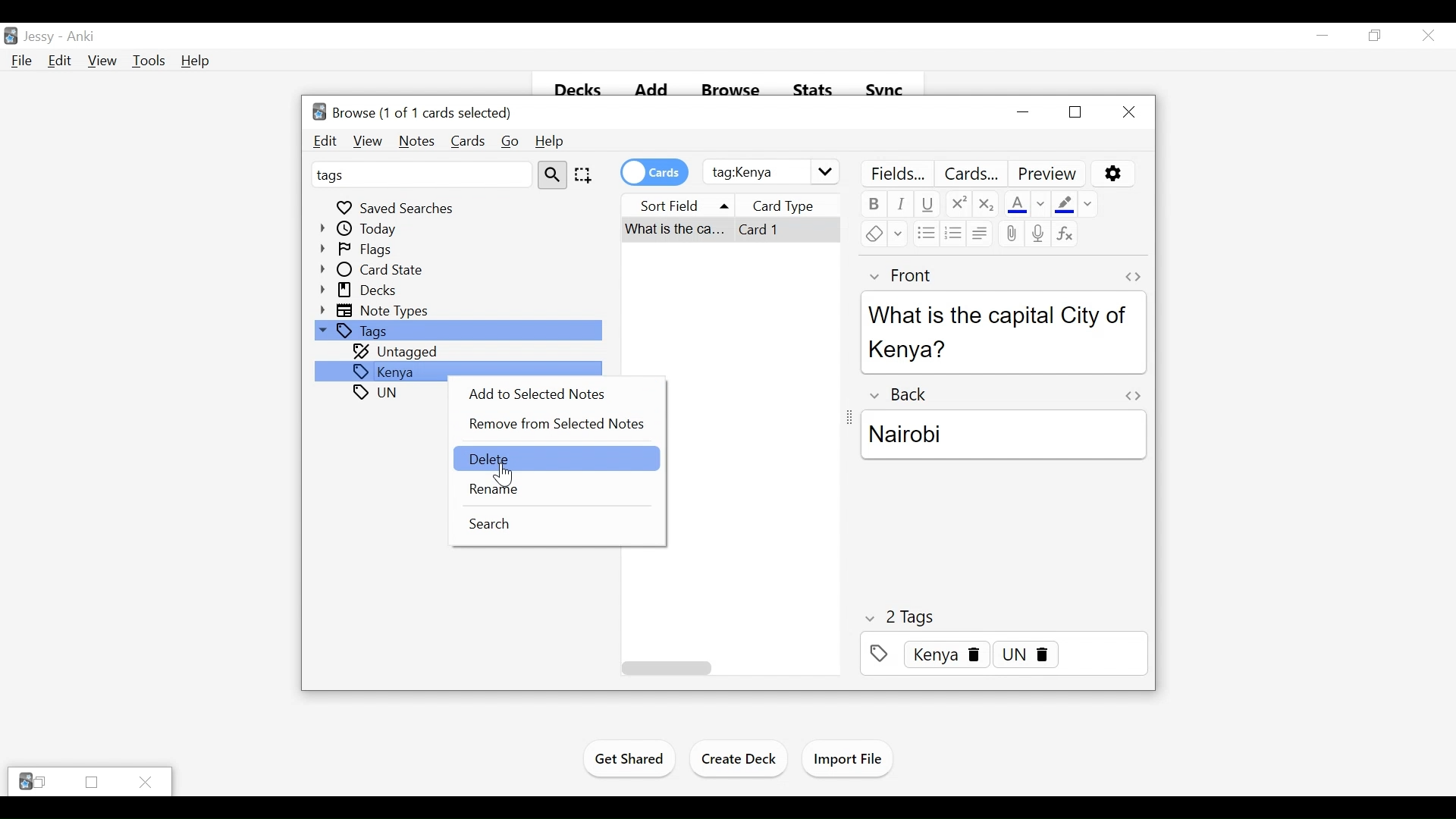 This screenshot has height=819, width=1456. What do you see at coordinates (898, 234) in the screenshot?
I see `Select formatting to remove` at bounding box center [898, 234].